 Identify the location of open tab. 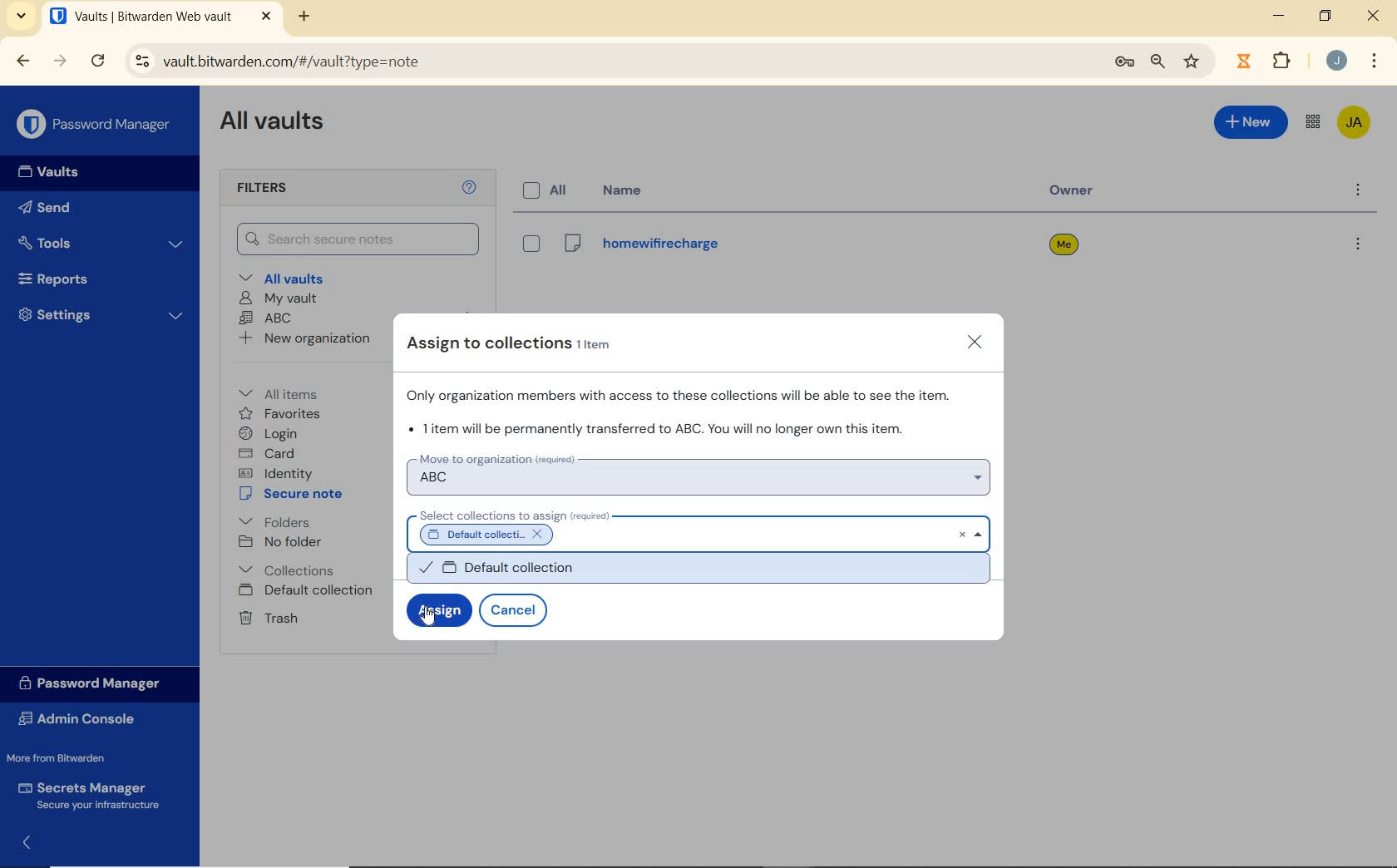
(160, 16).